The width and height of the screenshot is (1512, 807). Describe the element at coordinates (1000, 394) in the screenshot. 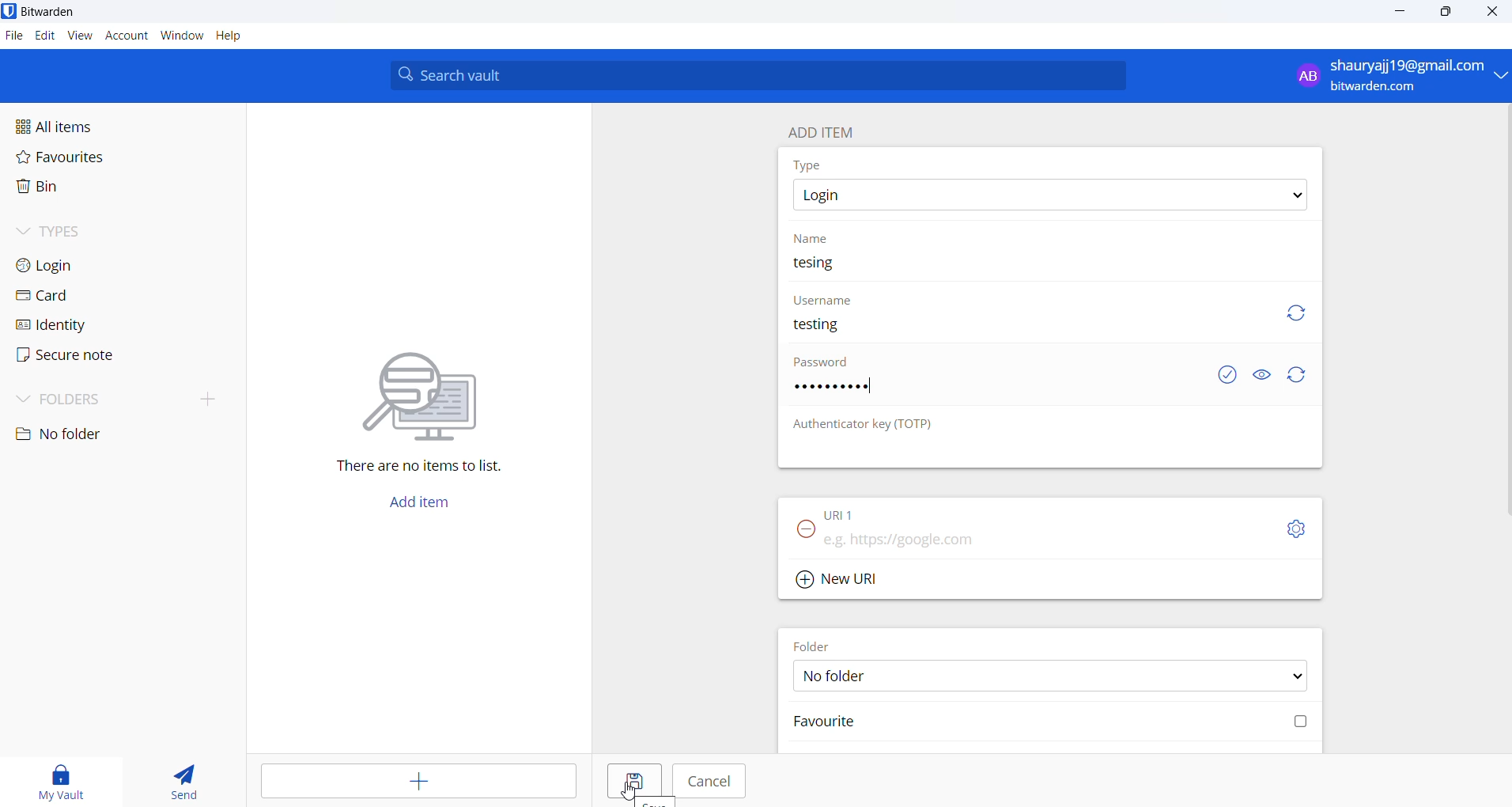

I see `Password text box` at that location.